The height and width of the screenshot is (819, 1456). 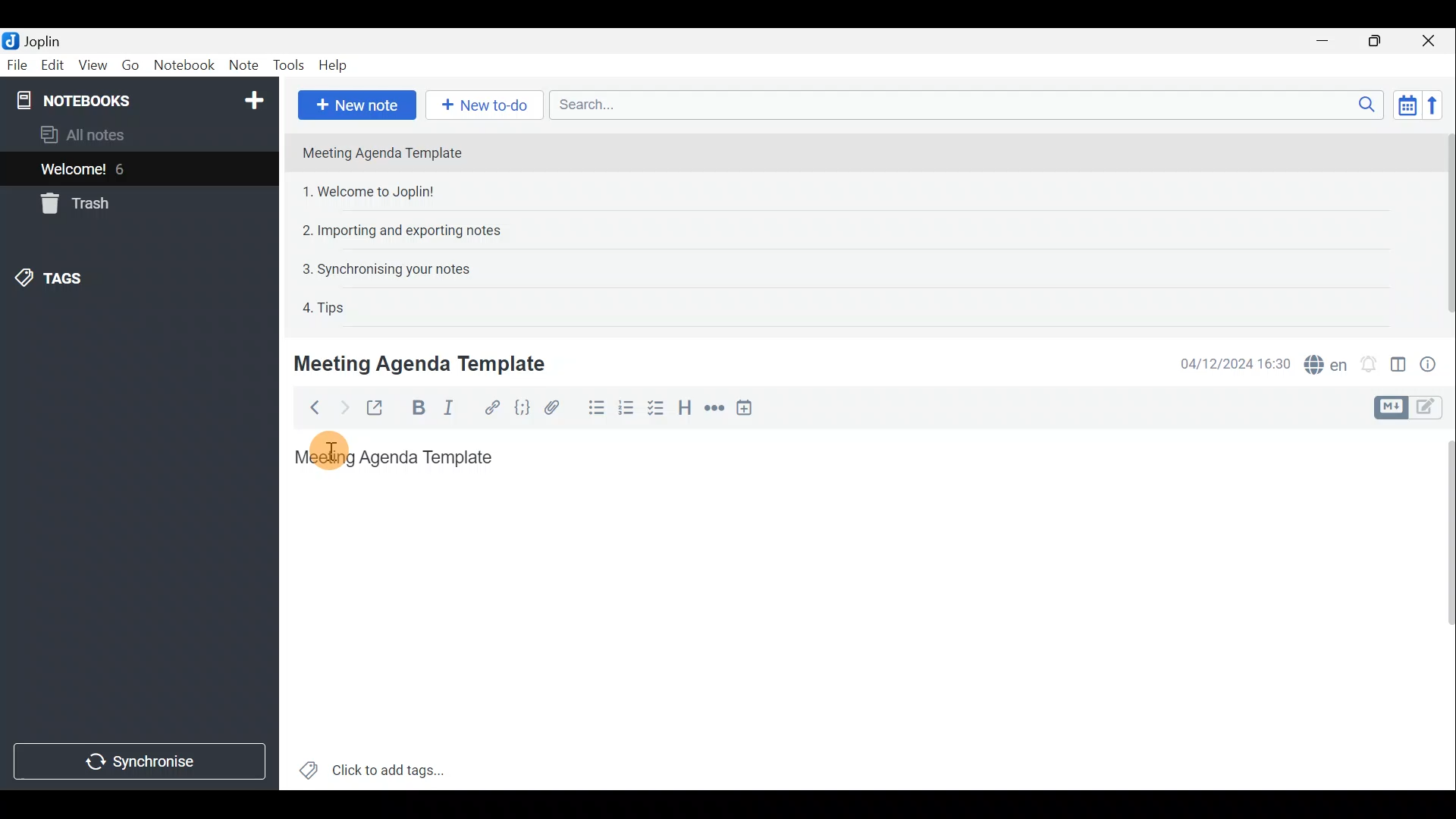 What do you see at coordinates (422, 363) in the screenshot?
I see `Meeting Agenda Template` at bounding box center [422, 363].